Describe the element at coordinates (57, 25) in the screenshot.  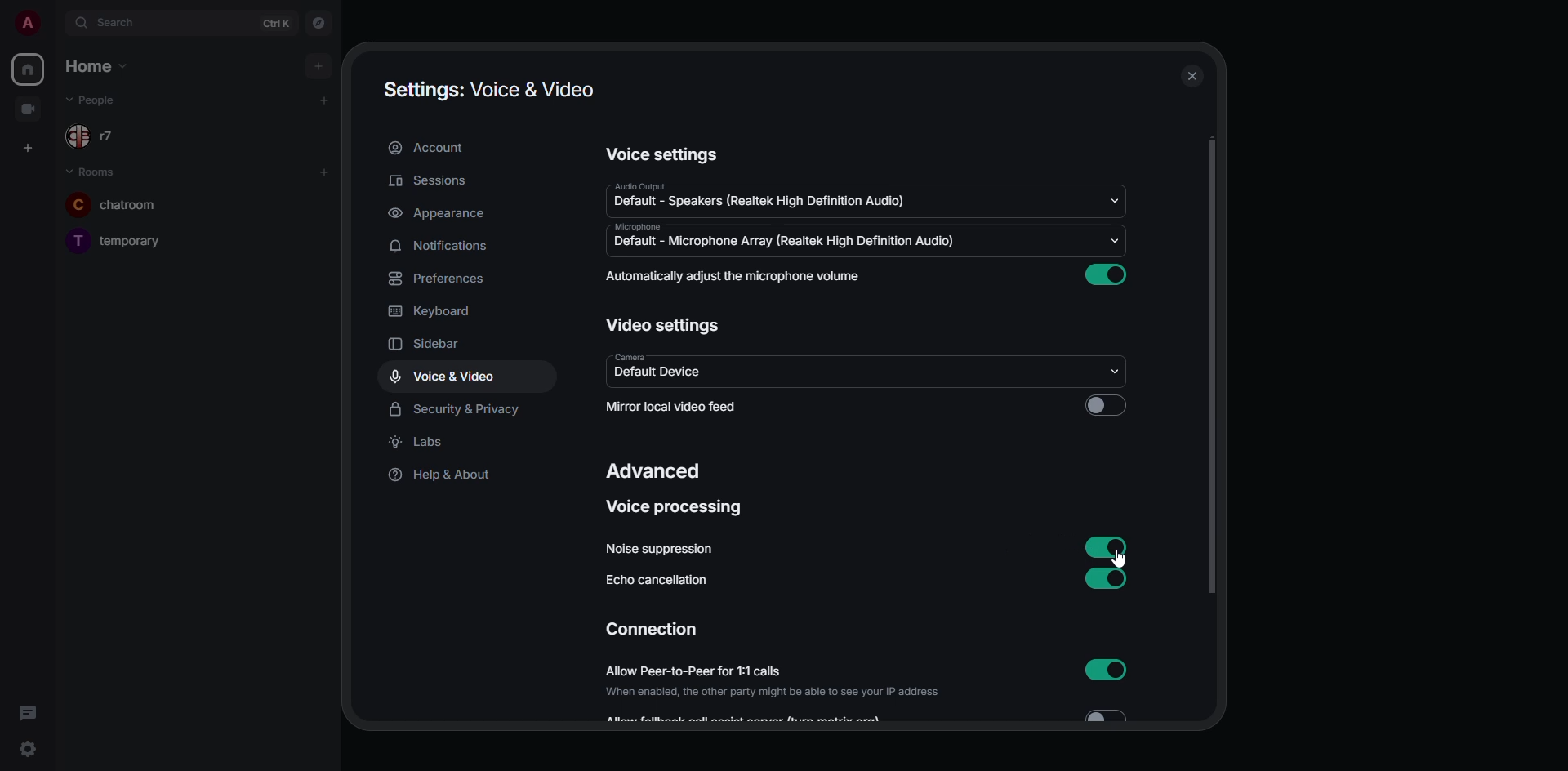
I see `expand` at that location.